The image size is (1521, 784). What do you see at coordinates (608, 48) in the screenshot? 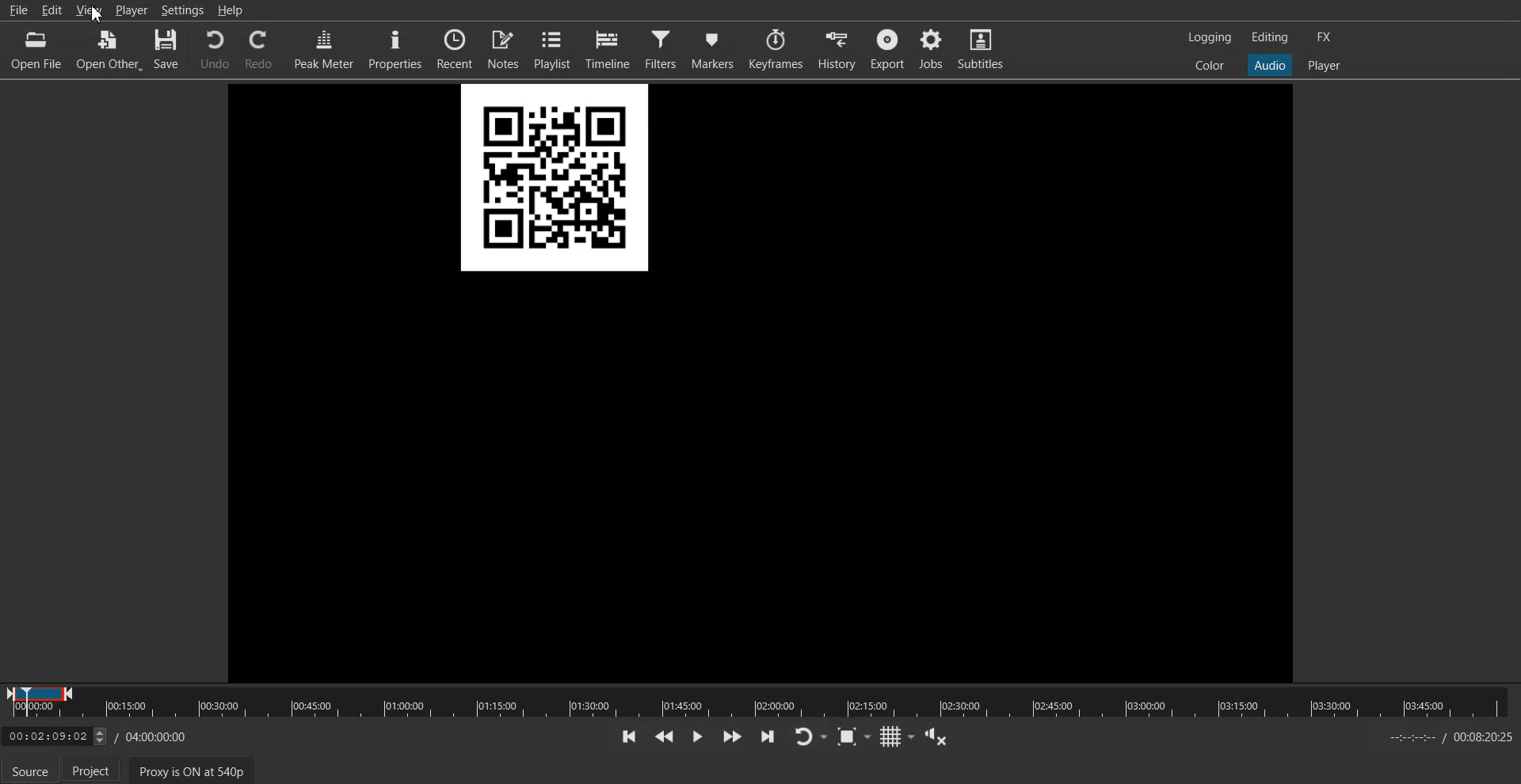
I see `Timeline` at bounding box center [608, 48].